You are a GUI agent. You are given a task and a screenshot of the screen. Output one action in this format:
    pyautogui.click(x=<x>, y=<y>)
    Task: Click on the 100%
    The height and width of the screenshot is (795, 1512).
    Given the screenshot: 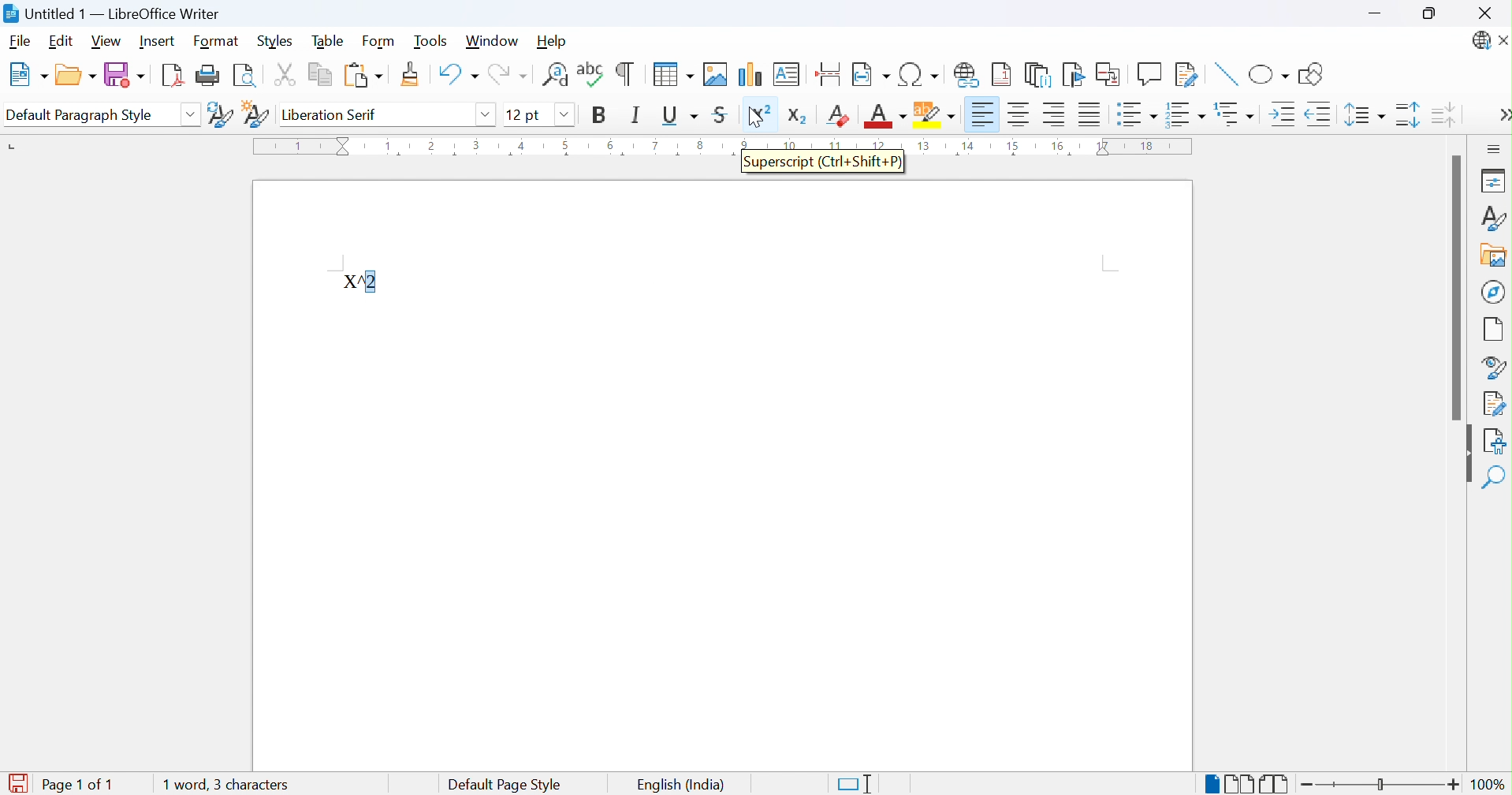 What is the action you would take?
    pyautogui.click(x=1488, y=785)
    